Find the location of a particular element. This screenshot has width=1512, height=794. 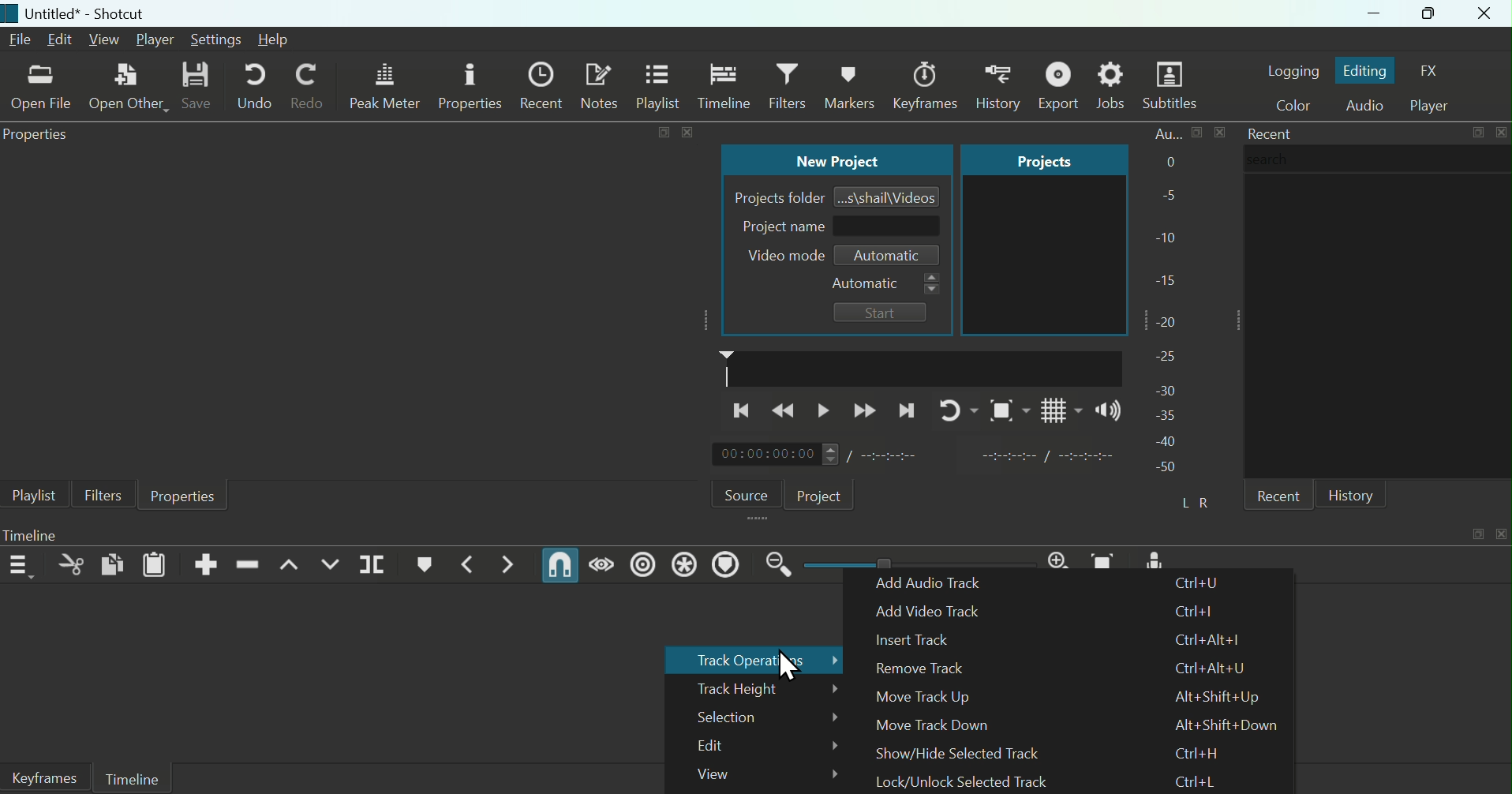

expand is located at coordinates (1476, 534).